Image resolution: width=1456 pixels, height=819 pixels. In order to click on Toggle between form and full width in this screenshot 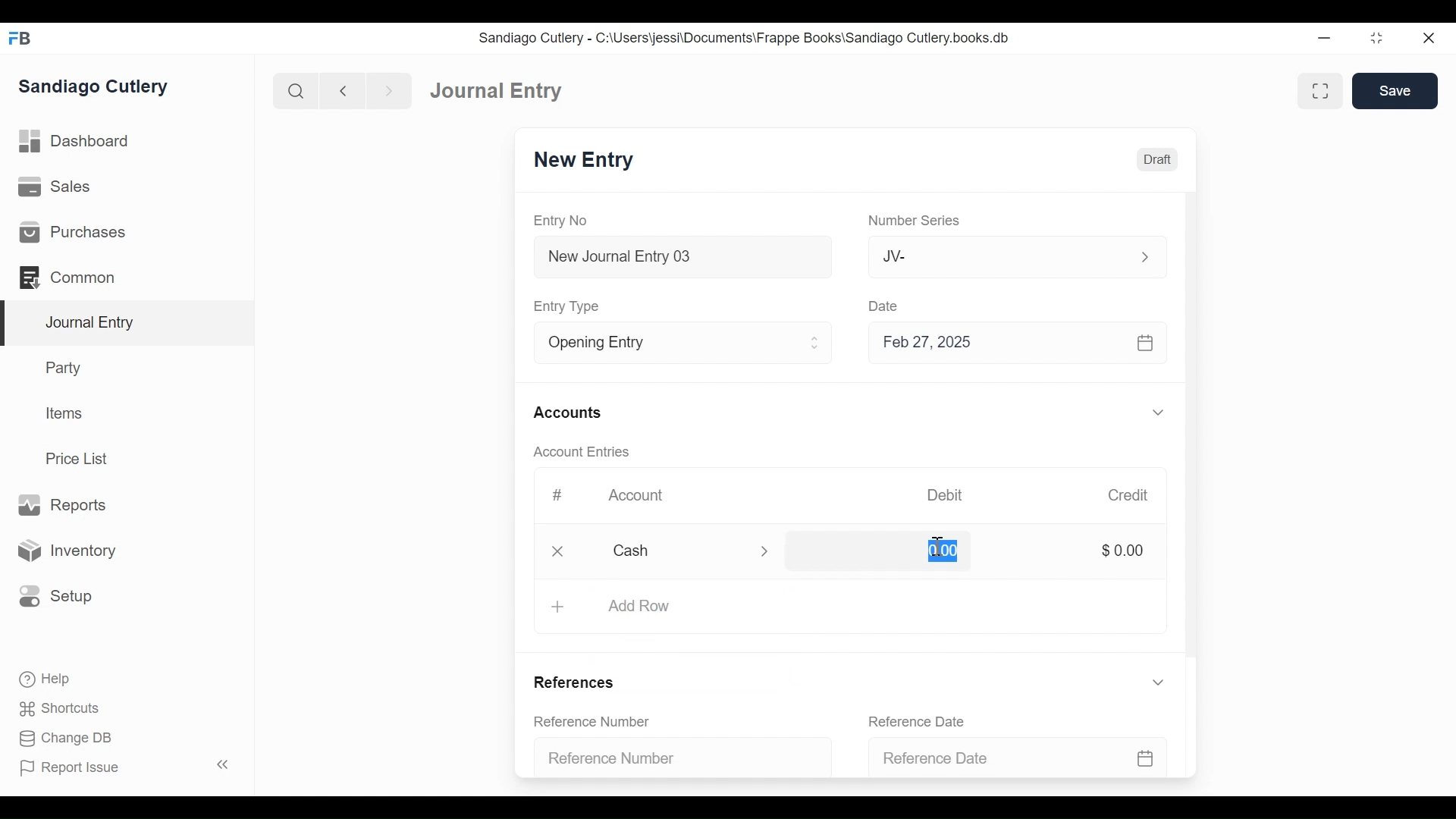, I will do `click(1320, 90)`.